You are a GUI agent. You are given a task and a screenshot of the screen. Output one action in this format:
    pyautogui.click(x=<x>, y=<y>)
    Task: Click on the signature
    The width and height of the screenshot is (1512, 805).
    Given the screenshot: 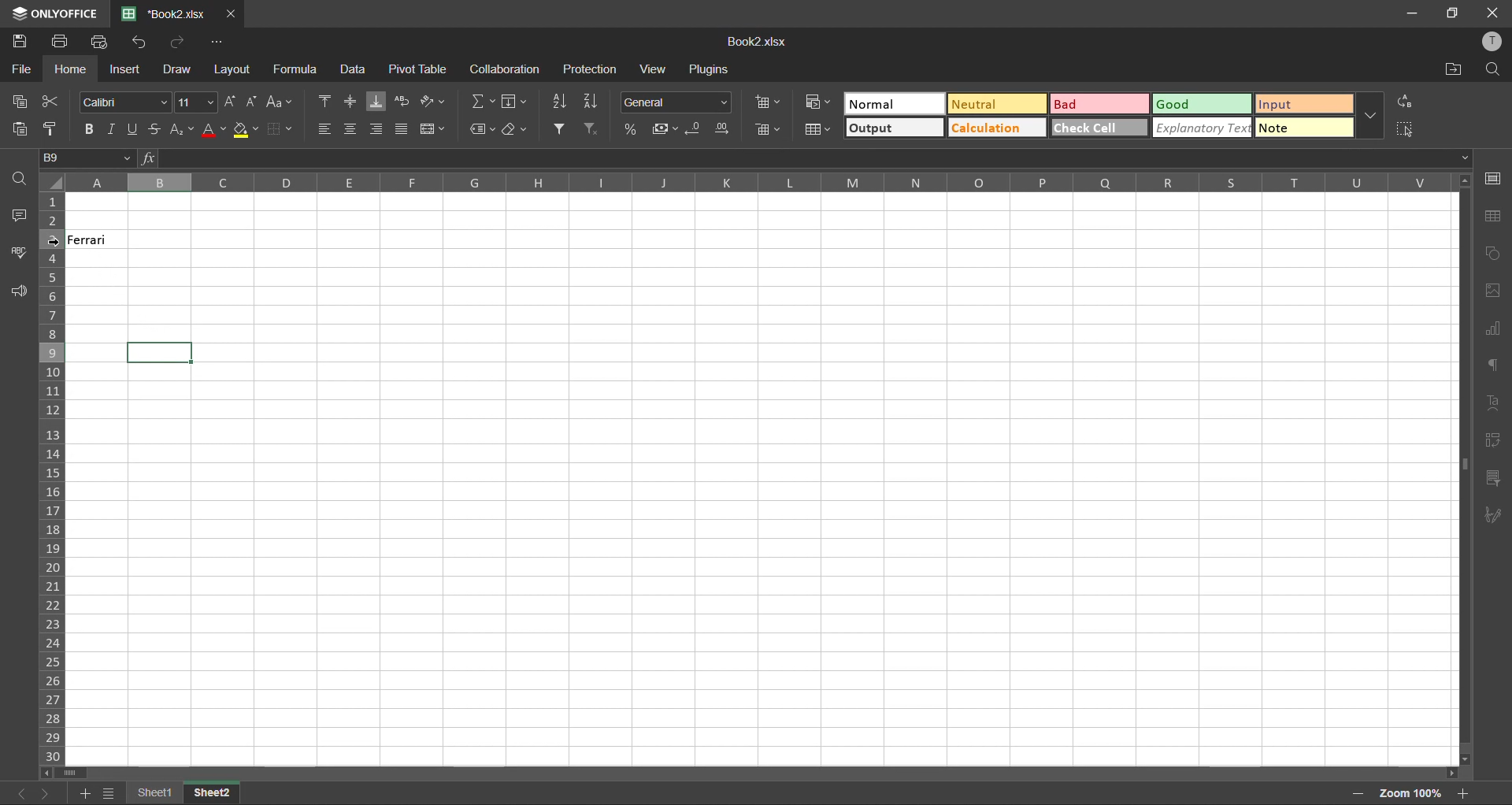 What is the action you would take?
    pyautogui.click(x=1495, y=515)
    